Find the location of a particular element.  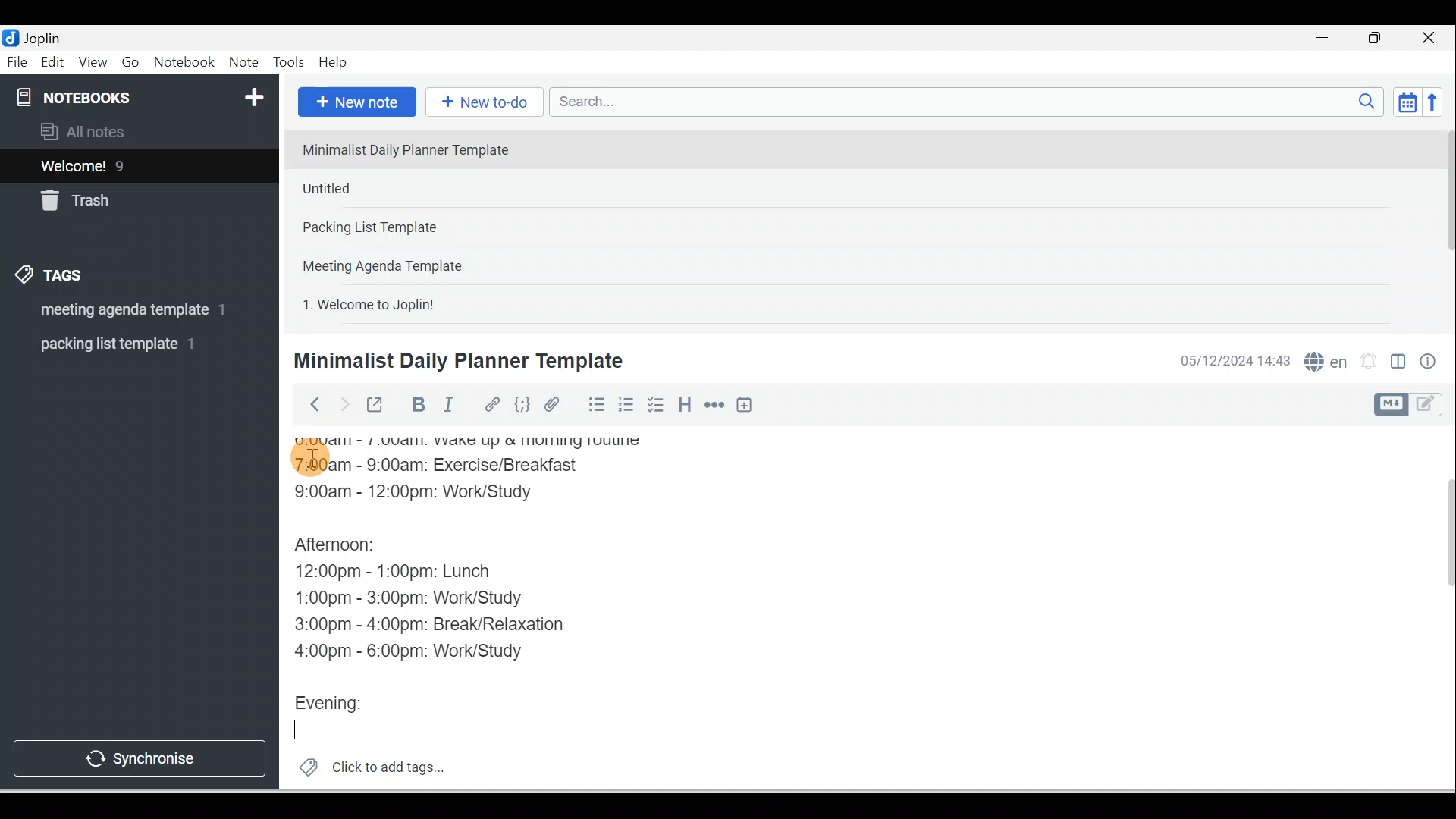

Tags is located at coordinates (54, 278).